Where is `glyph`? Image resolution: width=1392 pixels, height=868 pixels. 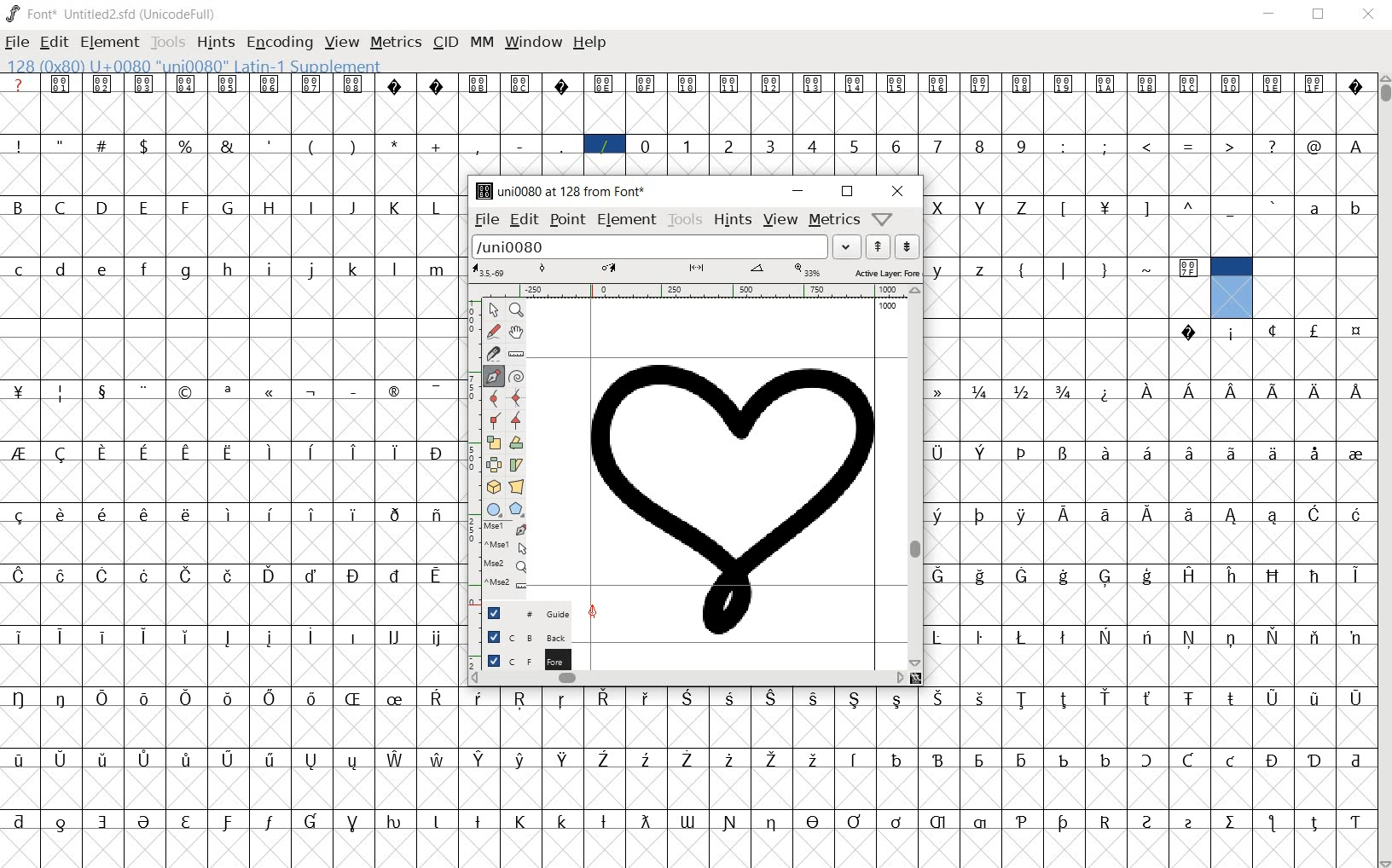 glyph is located at coordinates (61, 698).